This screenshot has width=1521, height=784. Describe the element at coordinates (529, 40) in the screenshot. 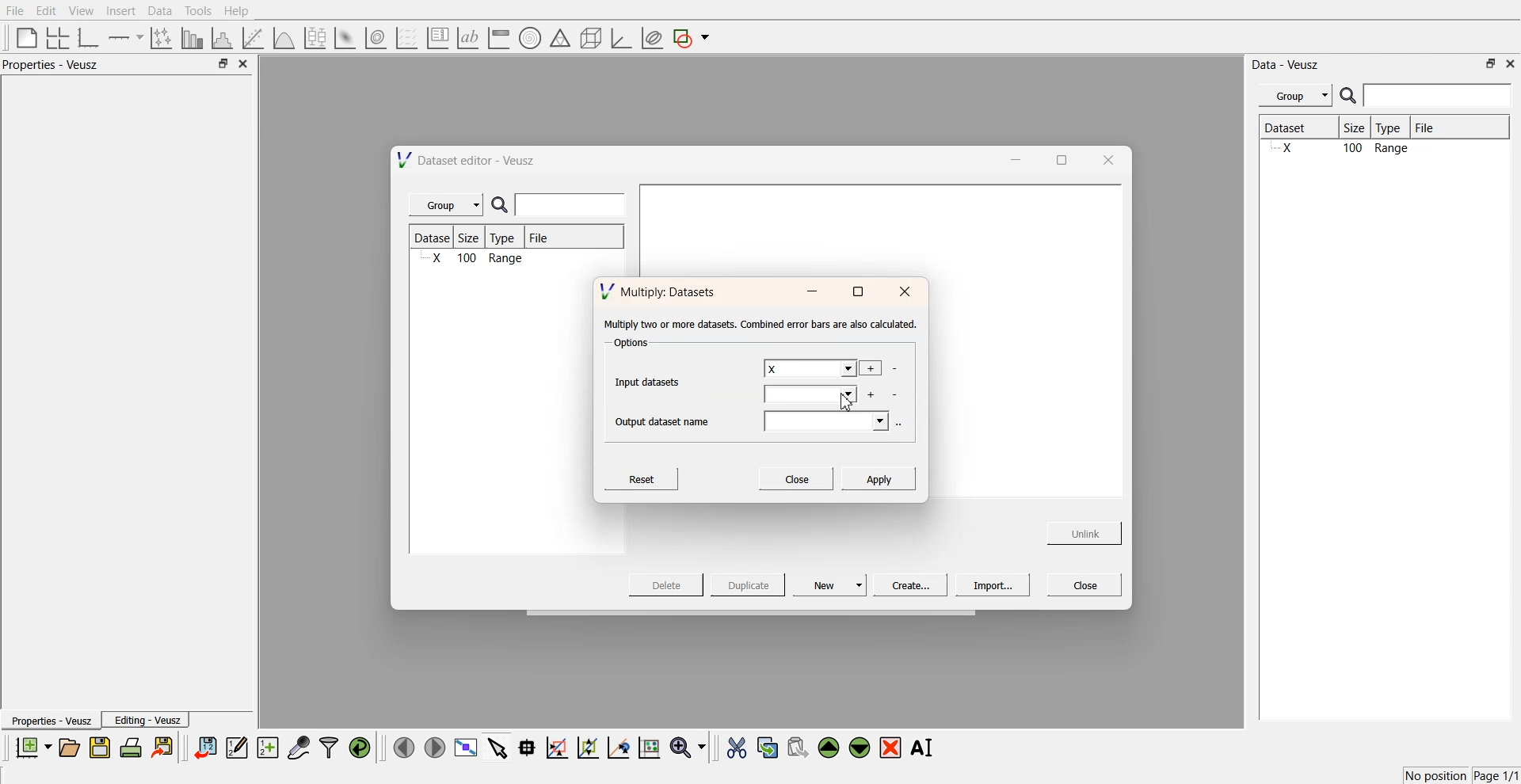

I see `polar graph` at that location.